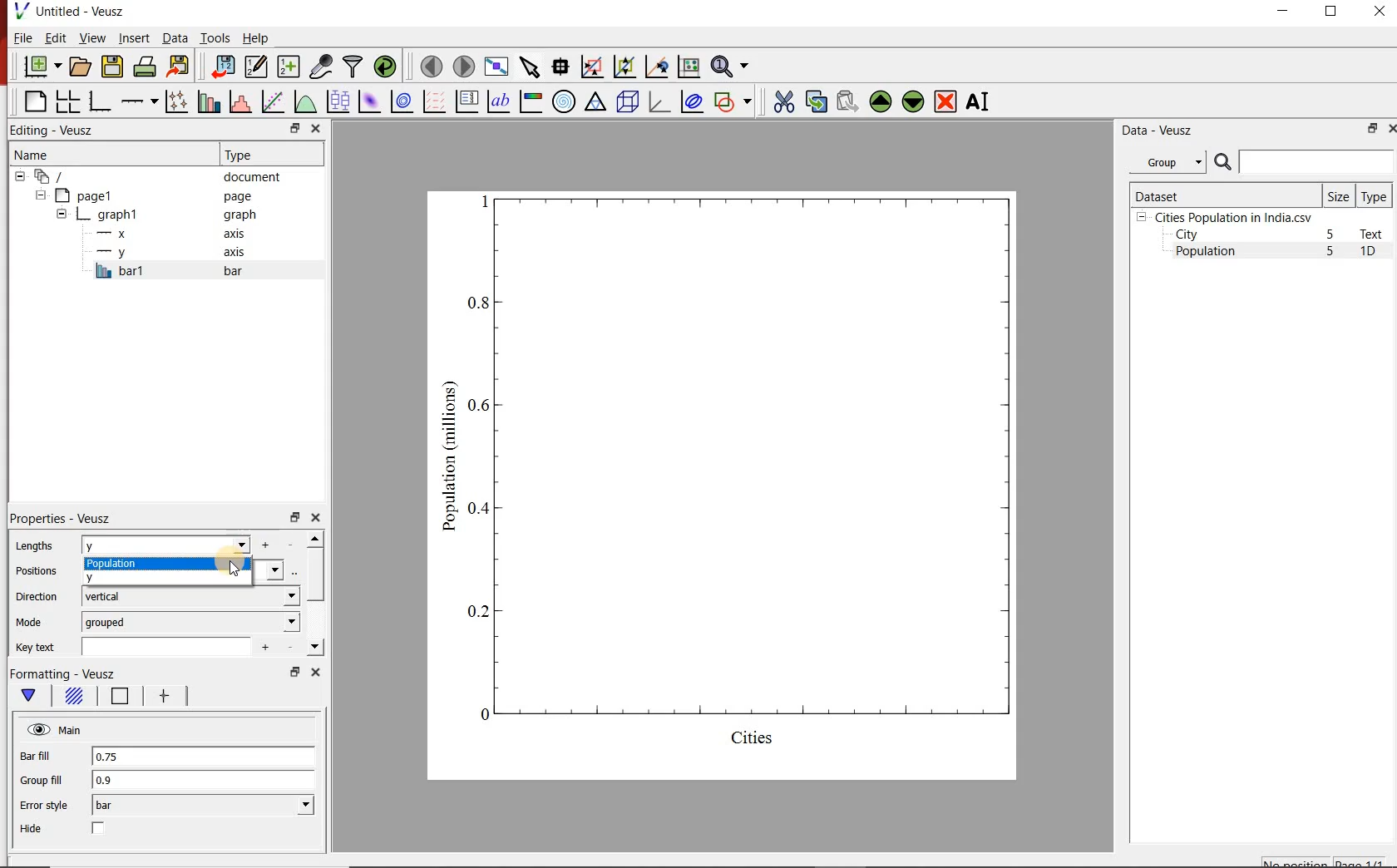 The height and width of the screenshot is (868, 1397). Describe the element at coordinates (174, 253) in the screenshot. I see `y axis` at that location.